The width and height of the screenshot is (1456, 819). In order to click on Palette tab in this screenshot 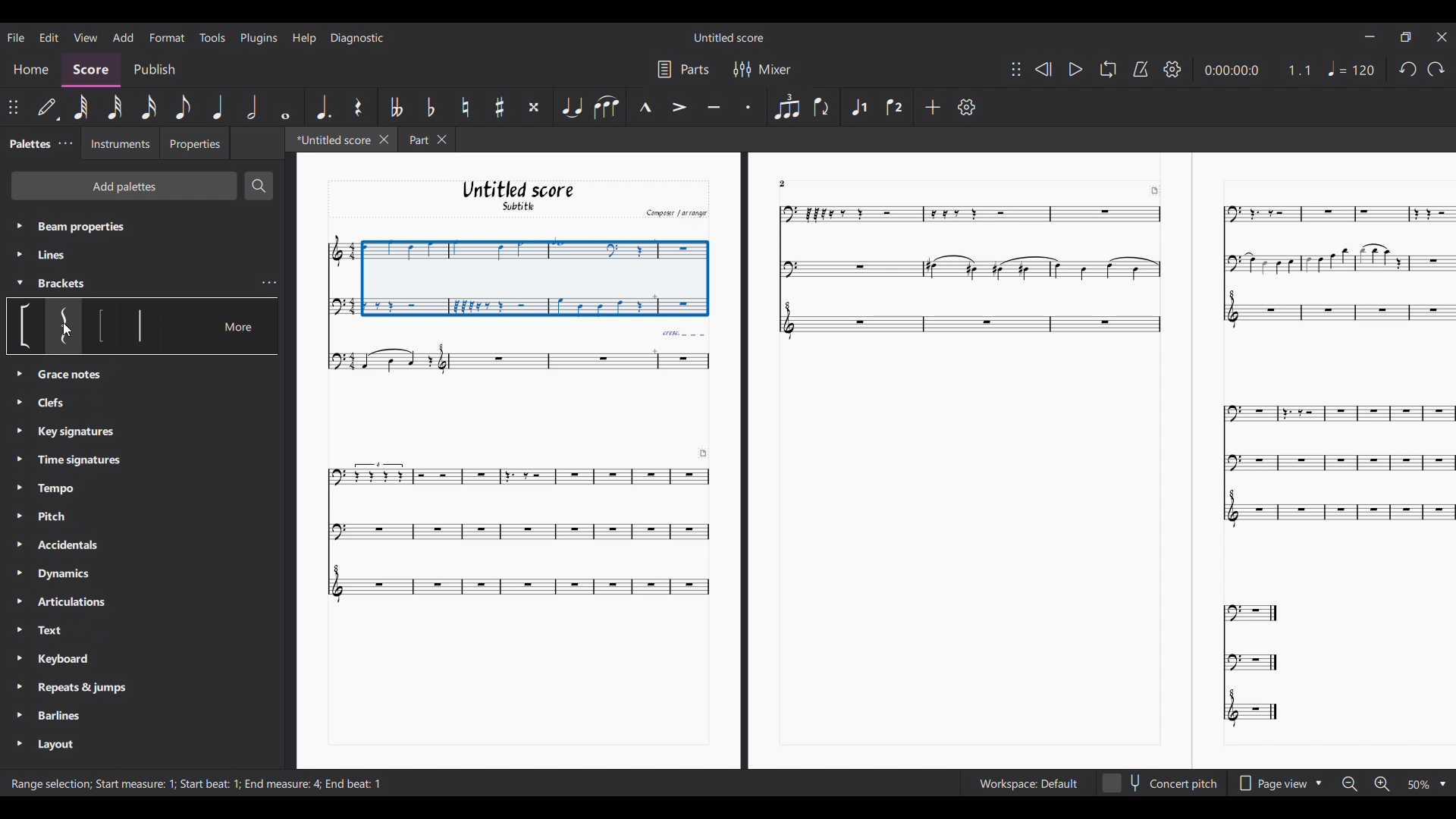, I will do `click(29, 143)`.